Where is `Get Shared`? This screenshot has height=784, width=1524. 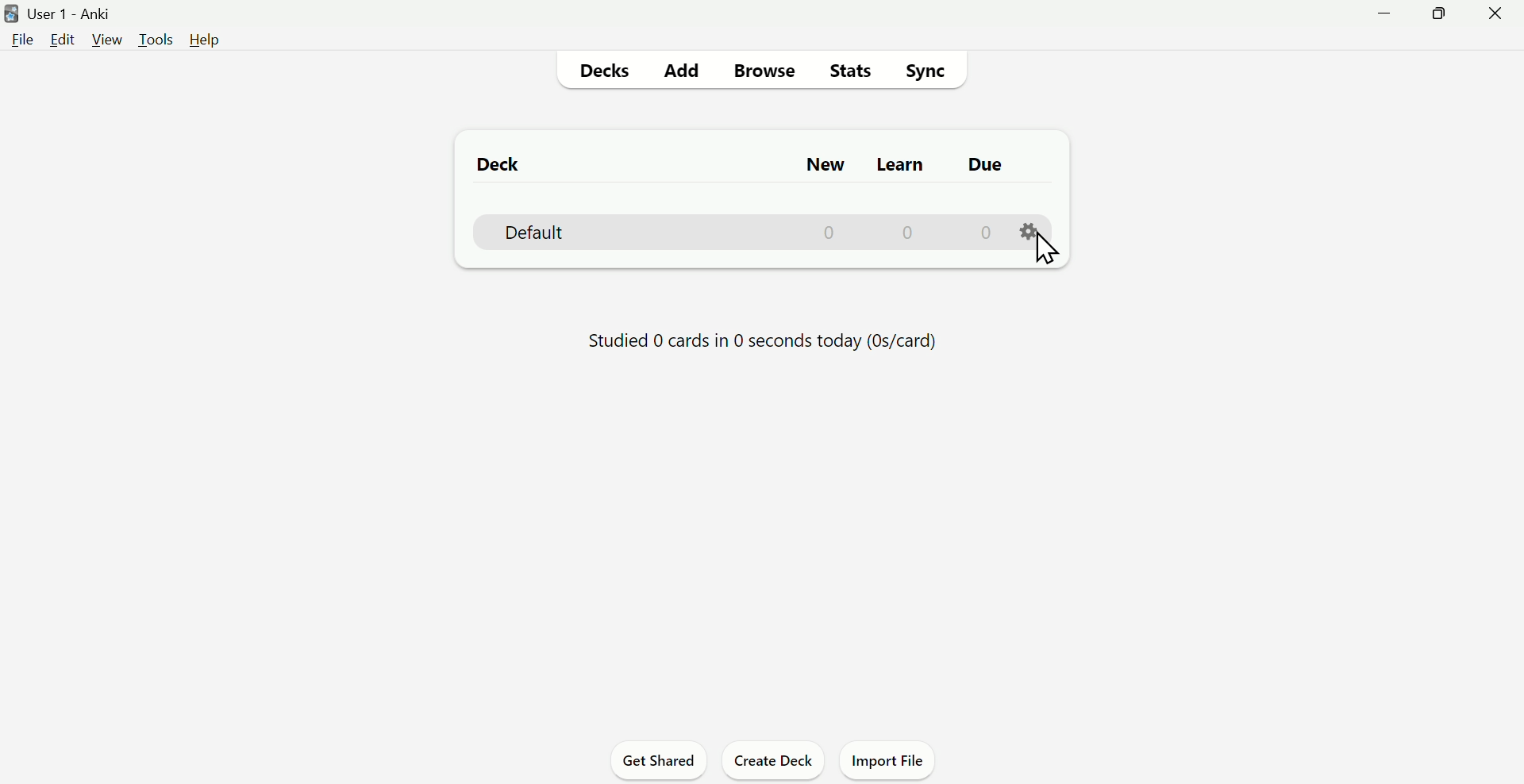
Get Shared is located at coordinates (657, 762).